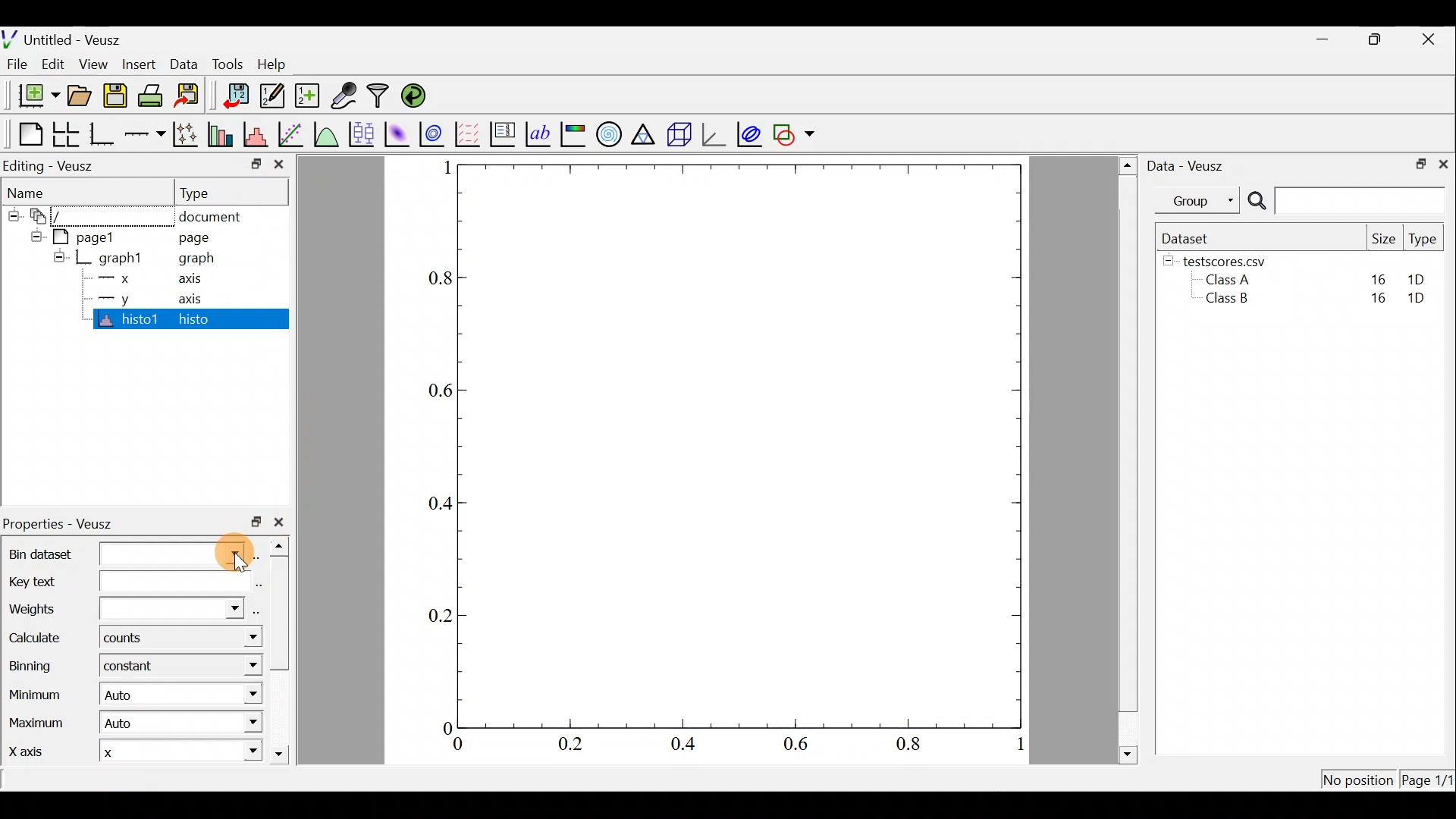 This screenshot has width=1456, height=819. Describe the element at coordinates (242, 667) in the screenshot. I see `Binning menu` at that location.